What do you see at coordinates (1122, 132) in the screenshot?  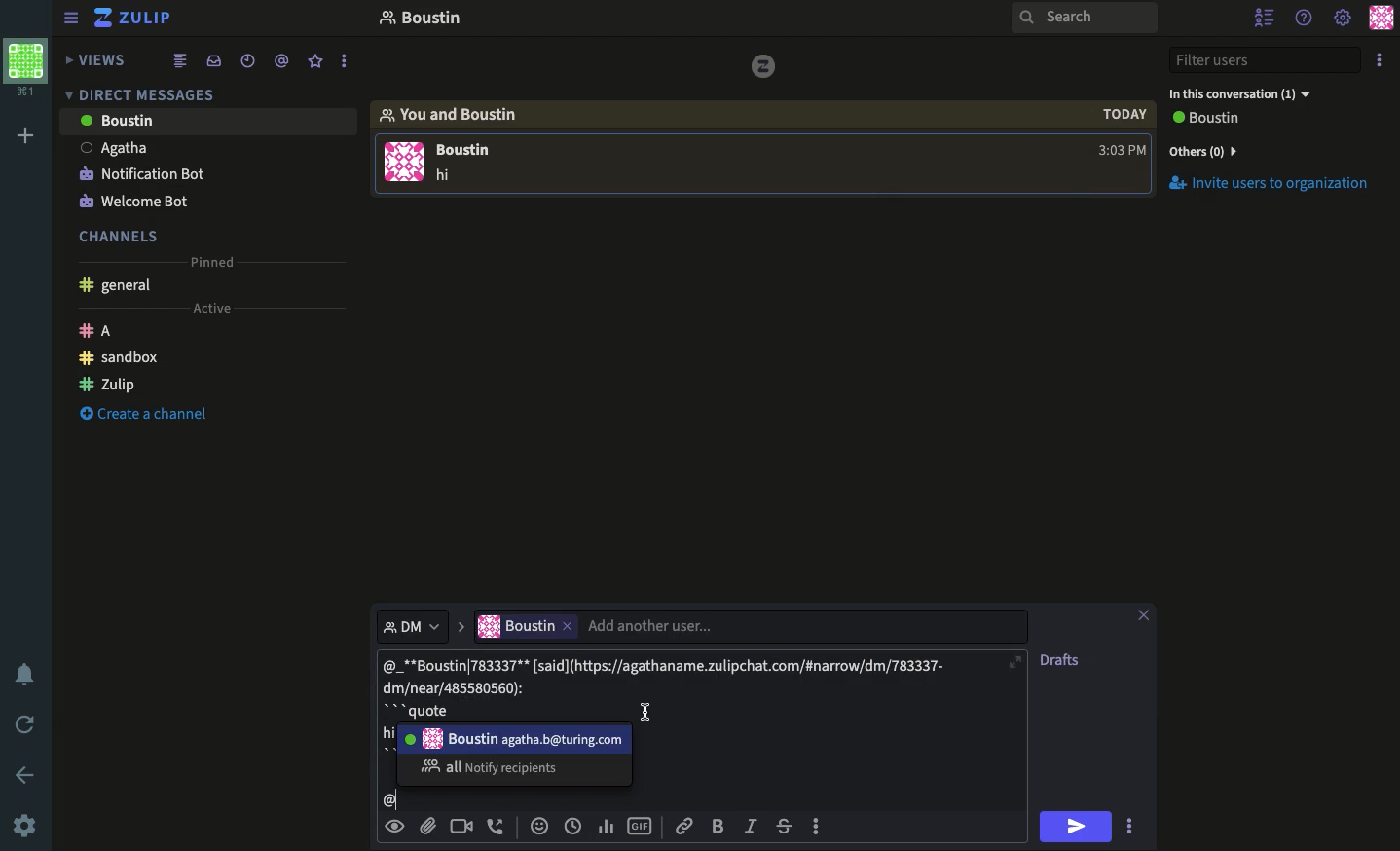 I see `Time` at bounding box center [1122, 132].